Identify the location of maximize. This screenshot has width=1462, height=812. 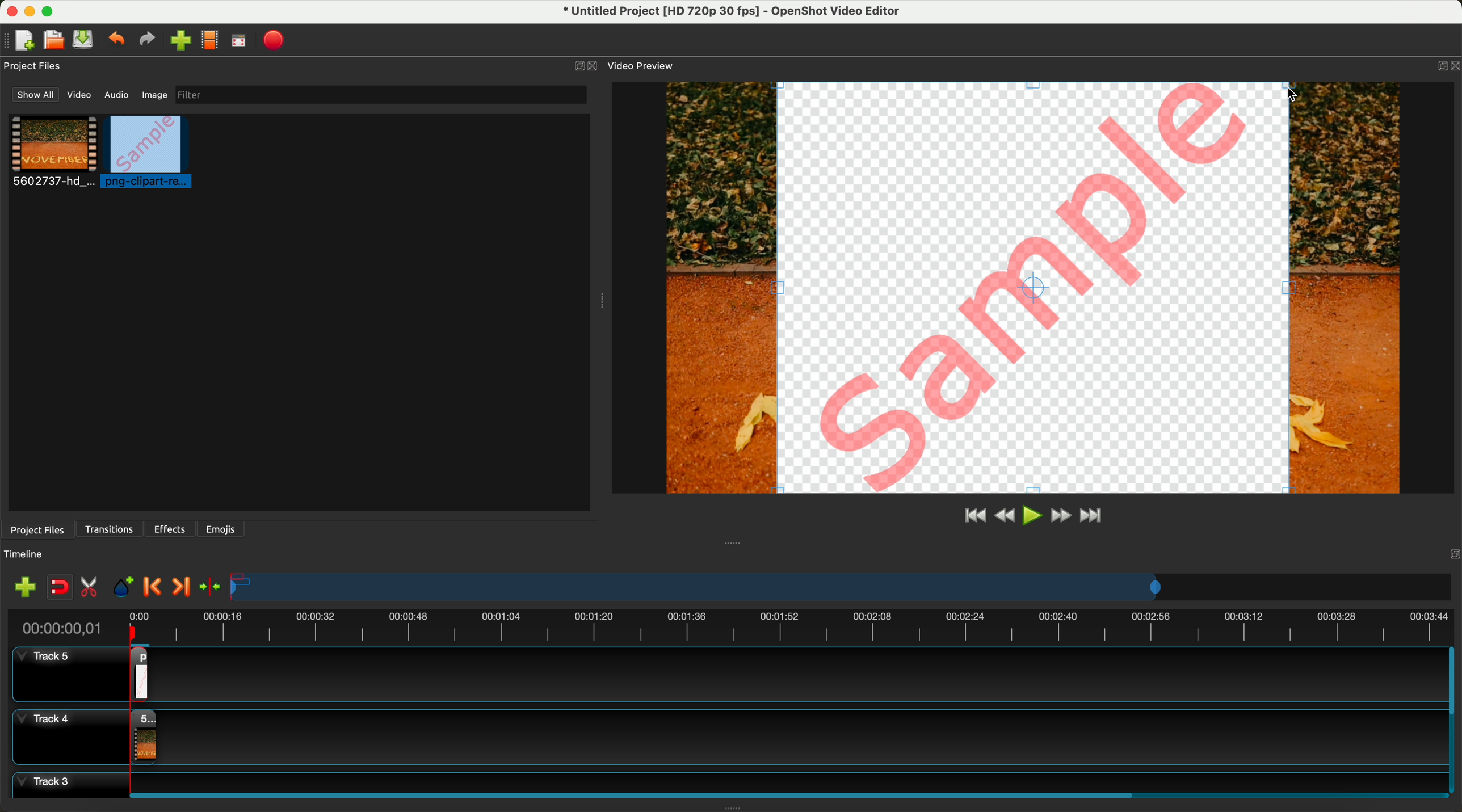
(52, 10).